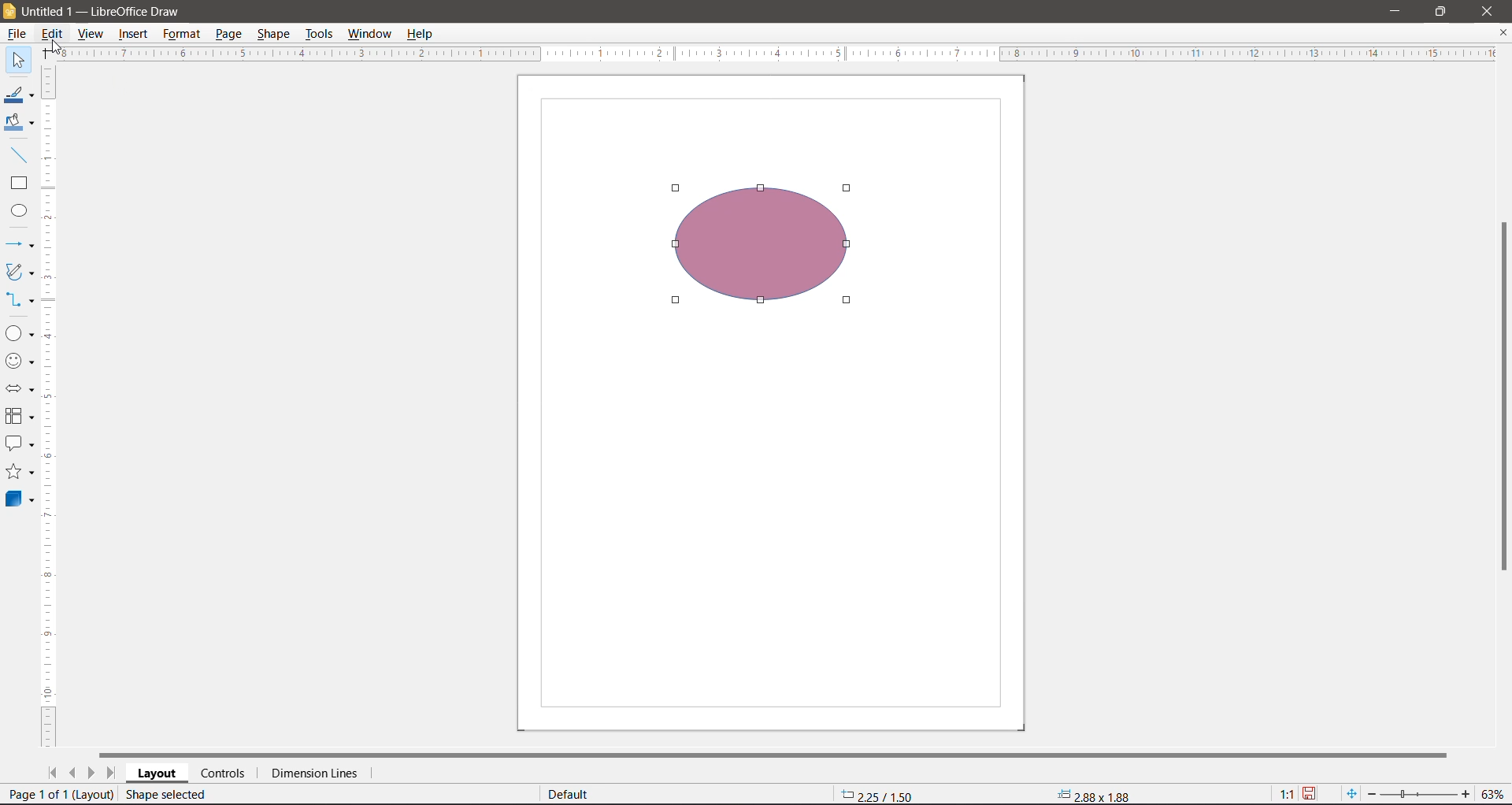 The image size is (1512, 805). What do you see at coordinates (318, 773) in the screenshot?
I see `Dimension Lines` at bounding box center [318, 773].